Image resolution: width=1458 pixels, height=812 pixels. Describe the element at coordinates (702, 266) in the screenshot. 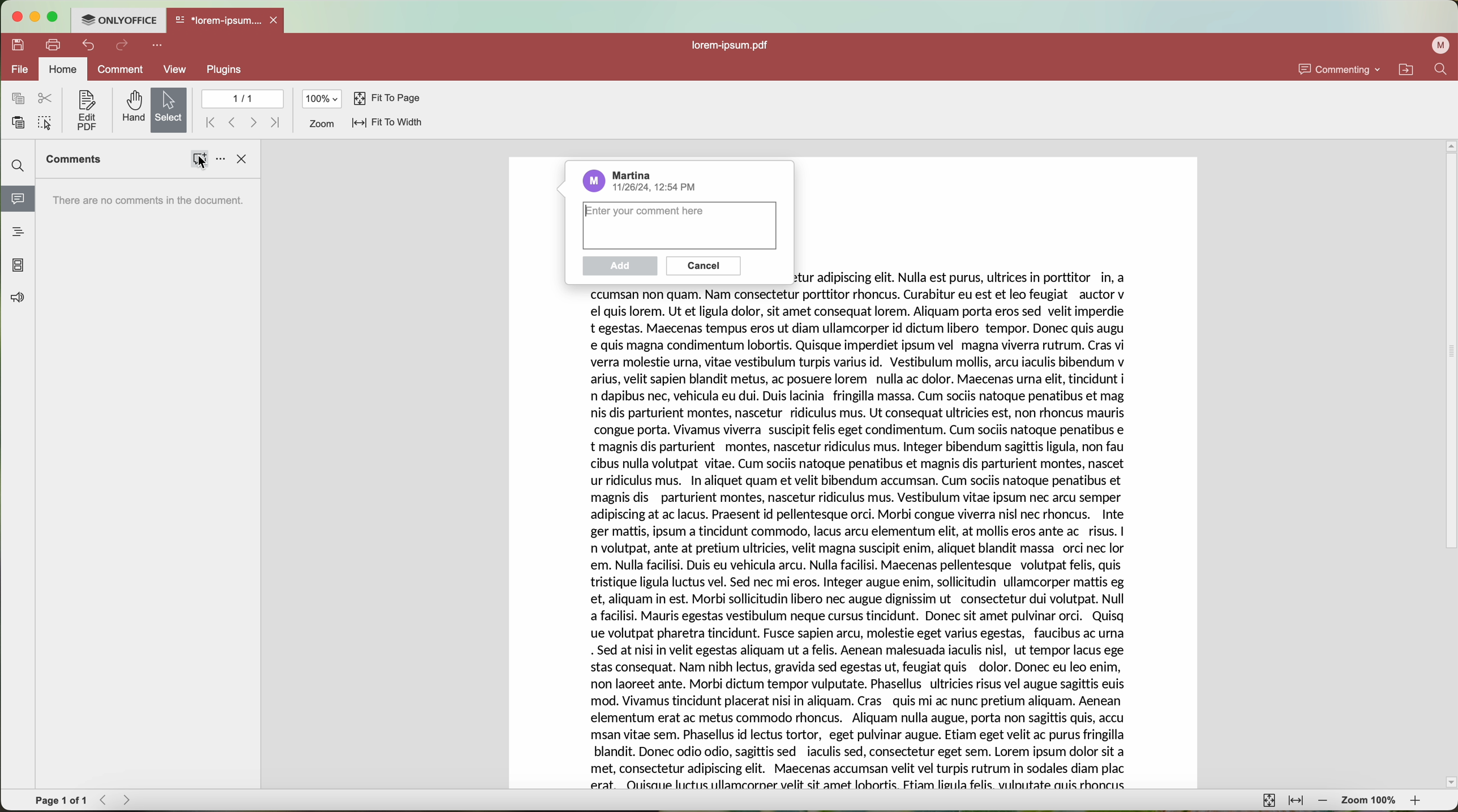

I see `cancel button` at that location.